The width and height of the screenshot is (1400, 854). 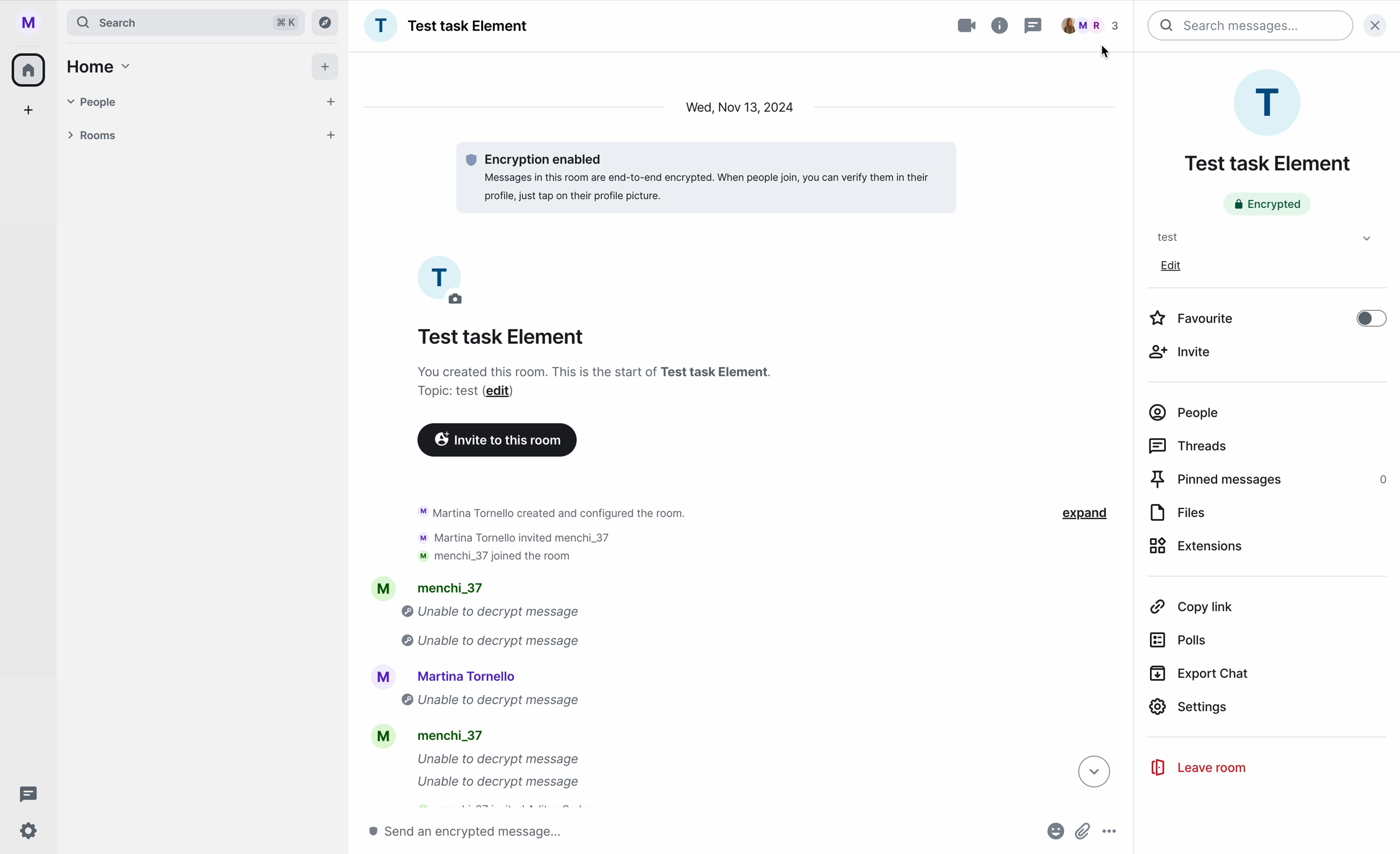 I want to click on settings, so click(x=29, y=832).